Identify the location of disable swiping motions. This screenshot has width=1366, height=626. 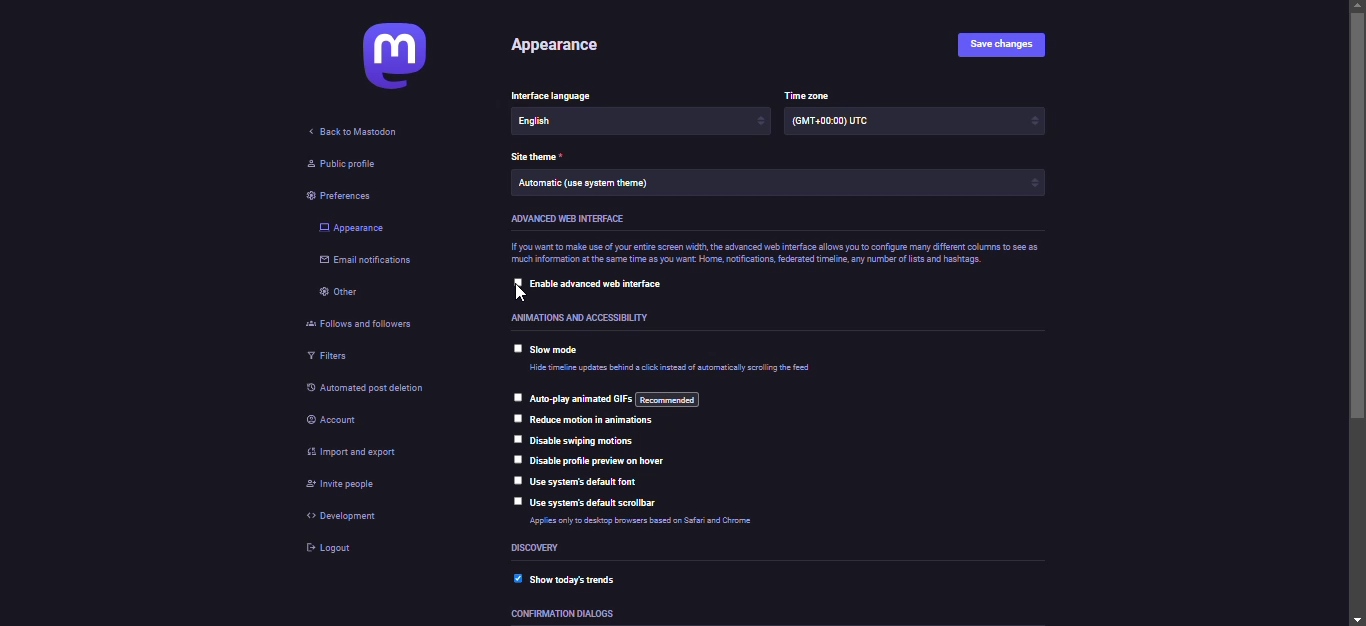
(584, 441).